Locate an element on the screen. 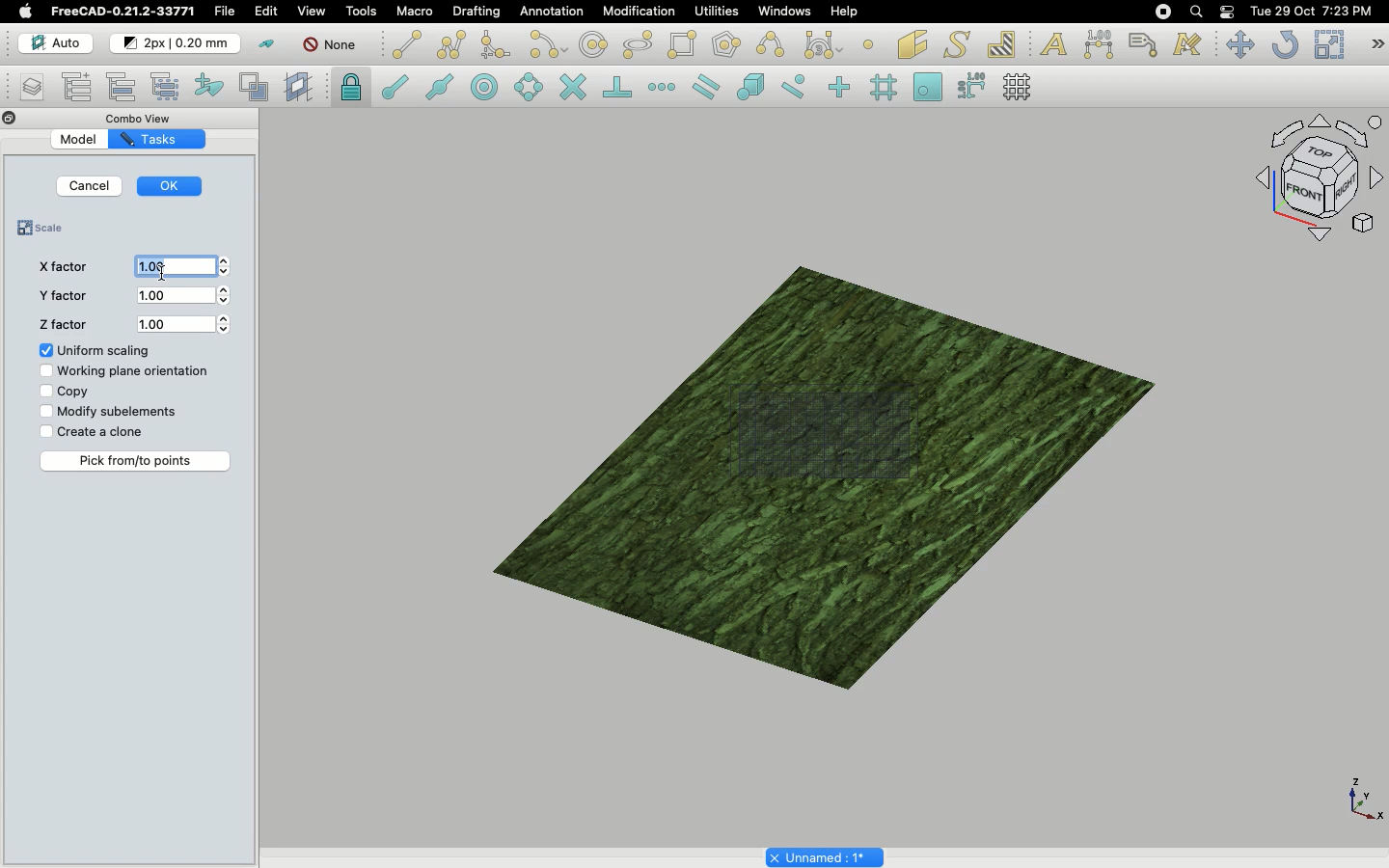  Bezier tools is located at coordinates (826, 44).